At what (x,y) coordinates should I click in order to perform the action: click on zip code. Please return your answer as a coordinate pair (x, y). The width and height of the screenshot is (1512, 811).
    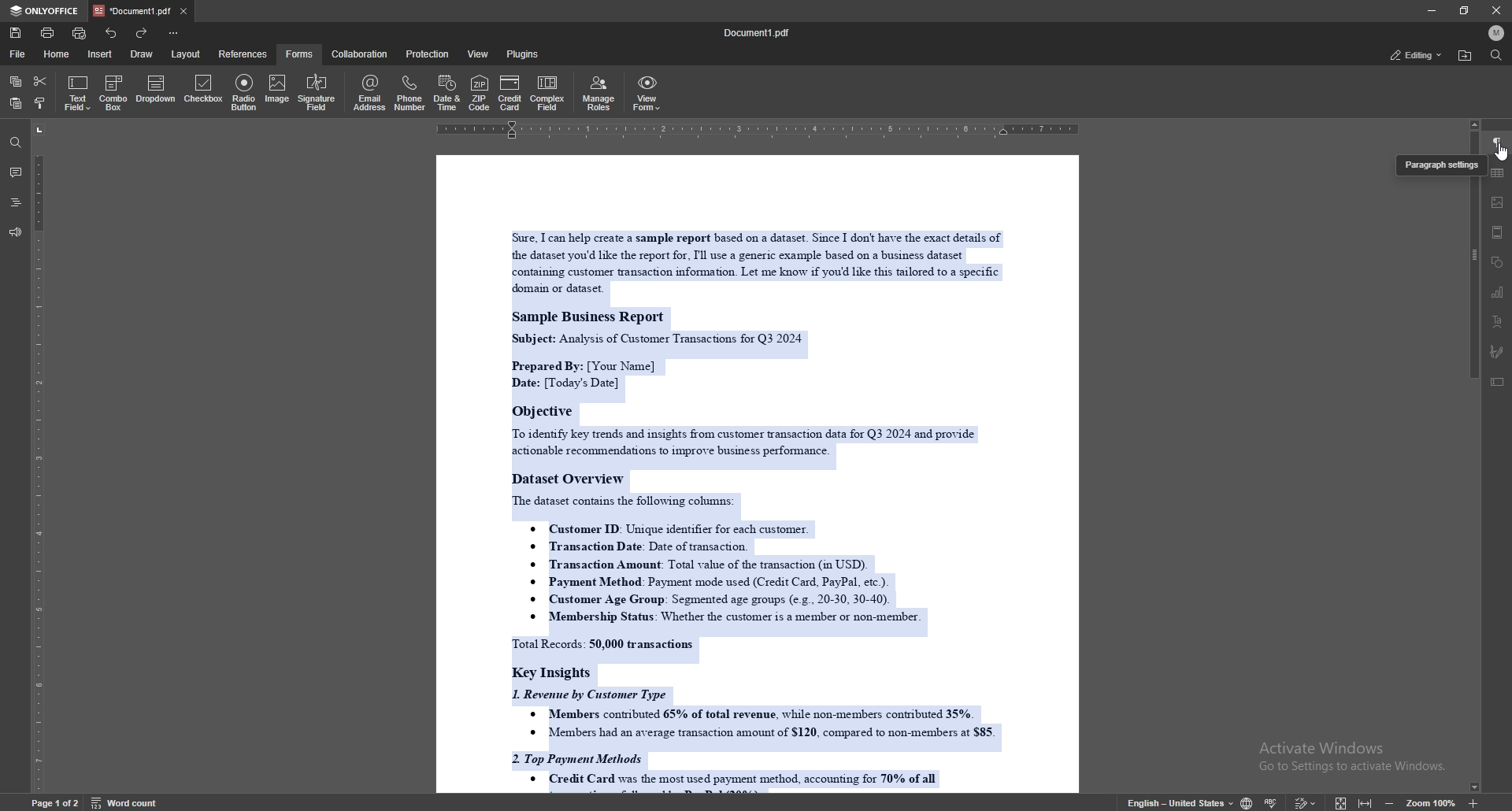
    Looking at the image, I should click on (479, 92).